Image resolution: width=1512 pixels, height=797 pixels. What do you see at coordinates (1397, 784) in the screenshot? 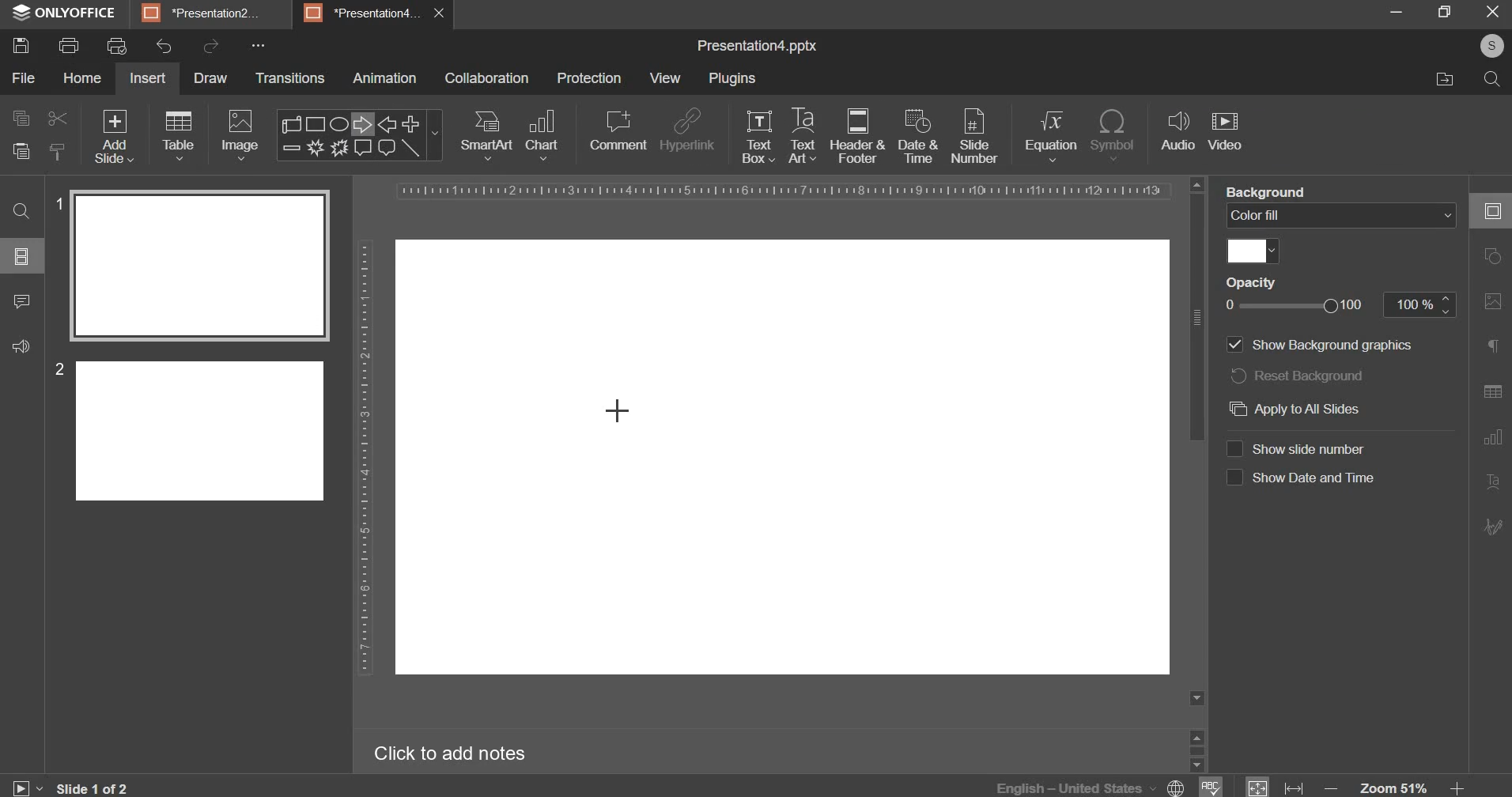
I see `zoom` at bounding box center [1397, 784].